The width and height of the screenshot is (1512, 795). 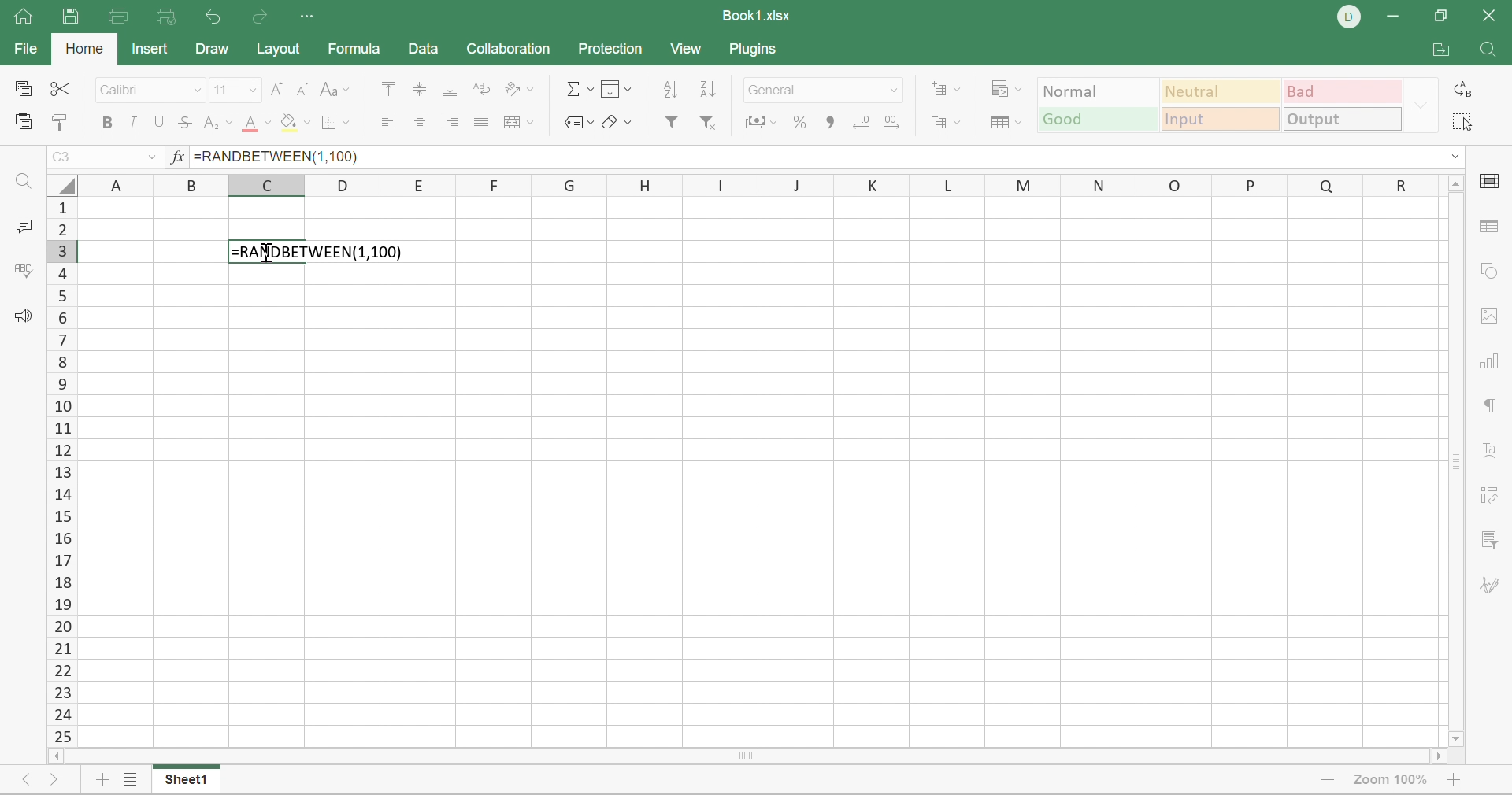 What do you see at coordinates (217, 124) in the screenshot?
I see `Superscript / subscript` at bounding box center [217, 124].